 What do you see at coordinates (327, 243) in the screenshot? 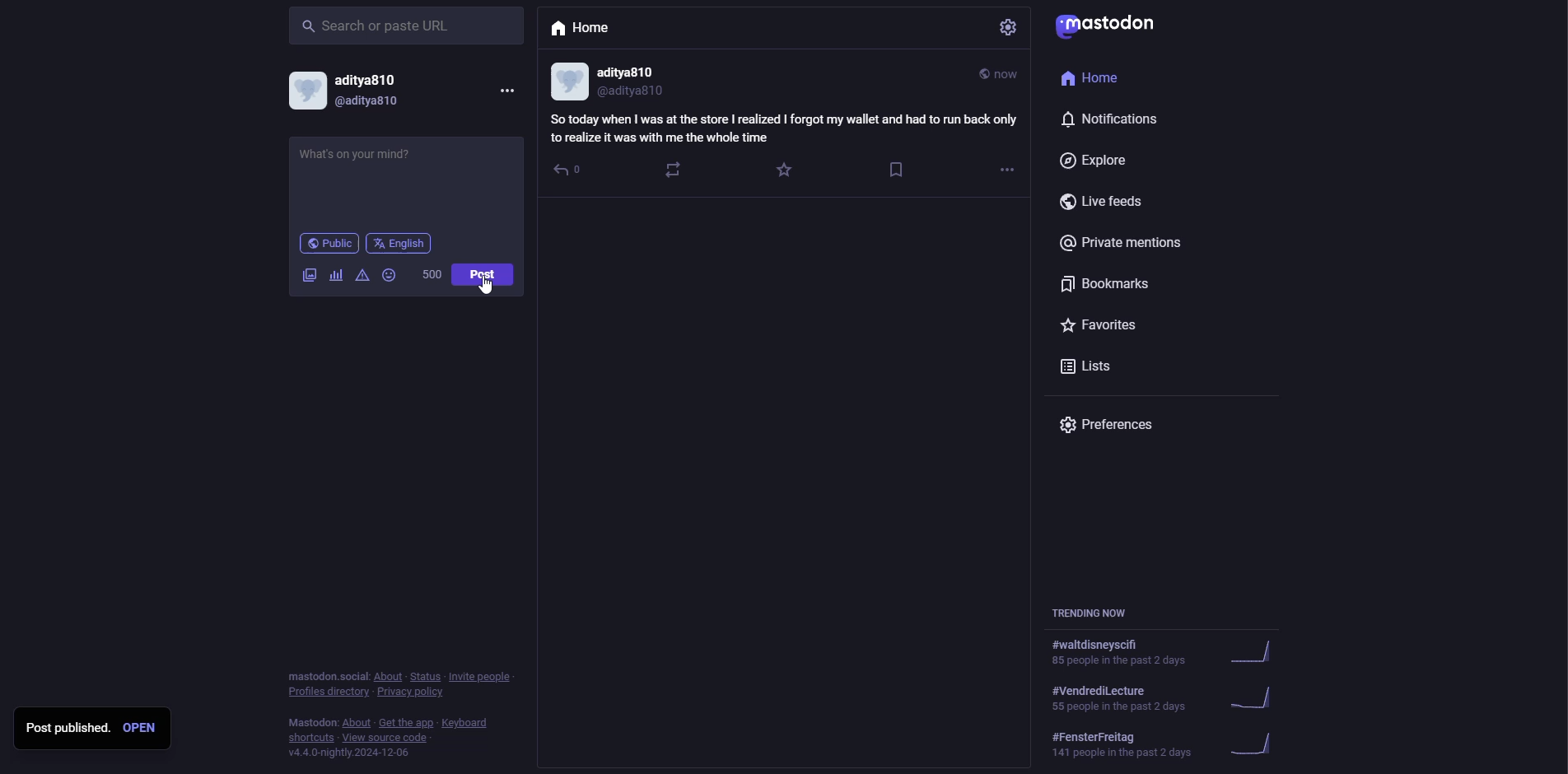
I see `public` at bounding box center [327, 243].